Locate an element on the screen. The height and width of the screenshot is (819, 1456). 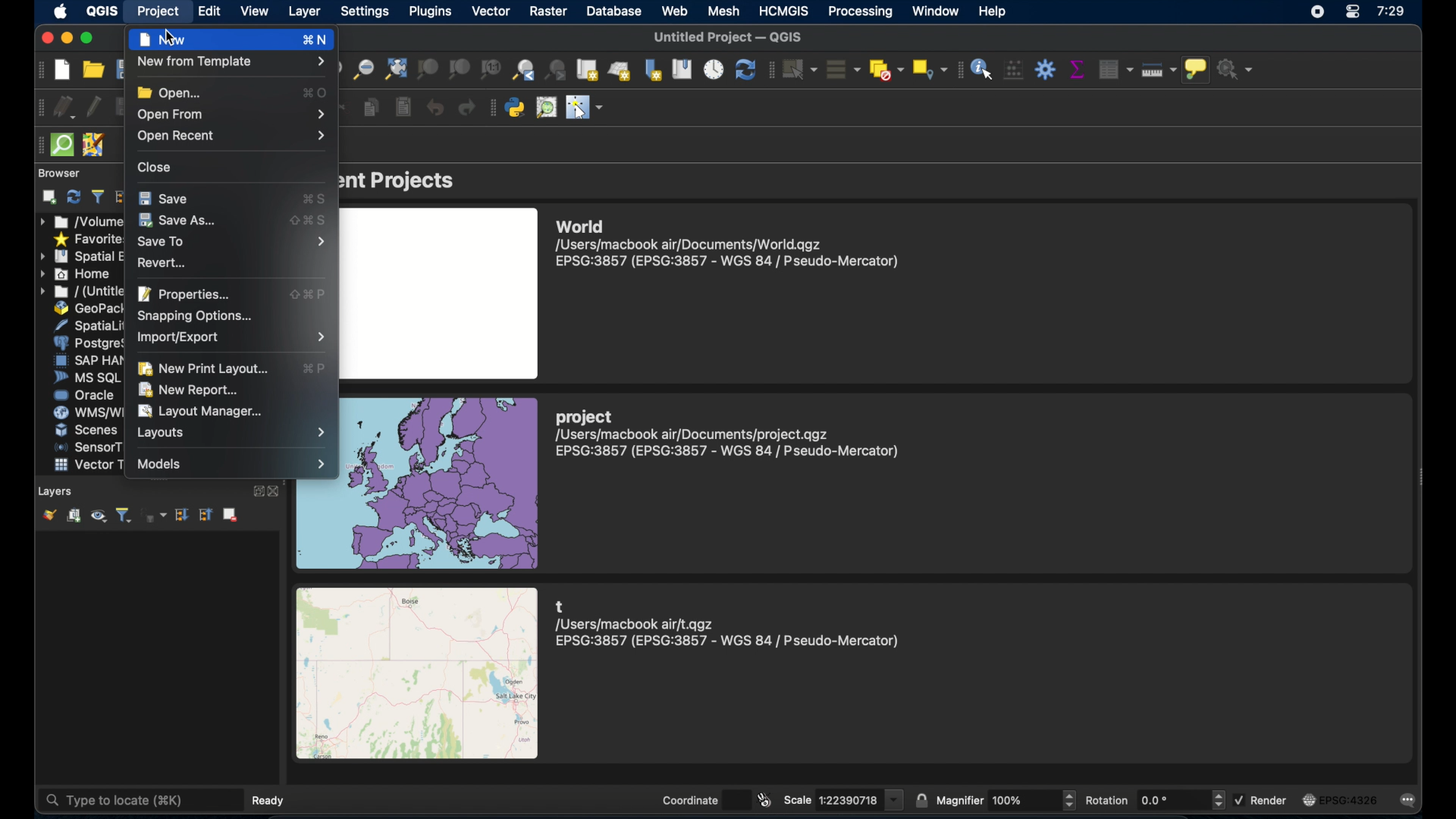
control center is located at coordinates (1352, 13).